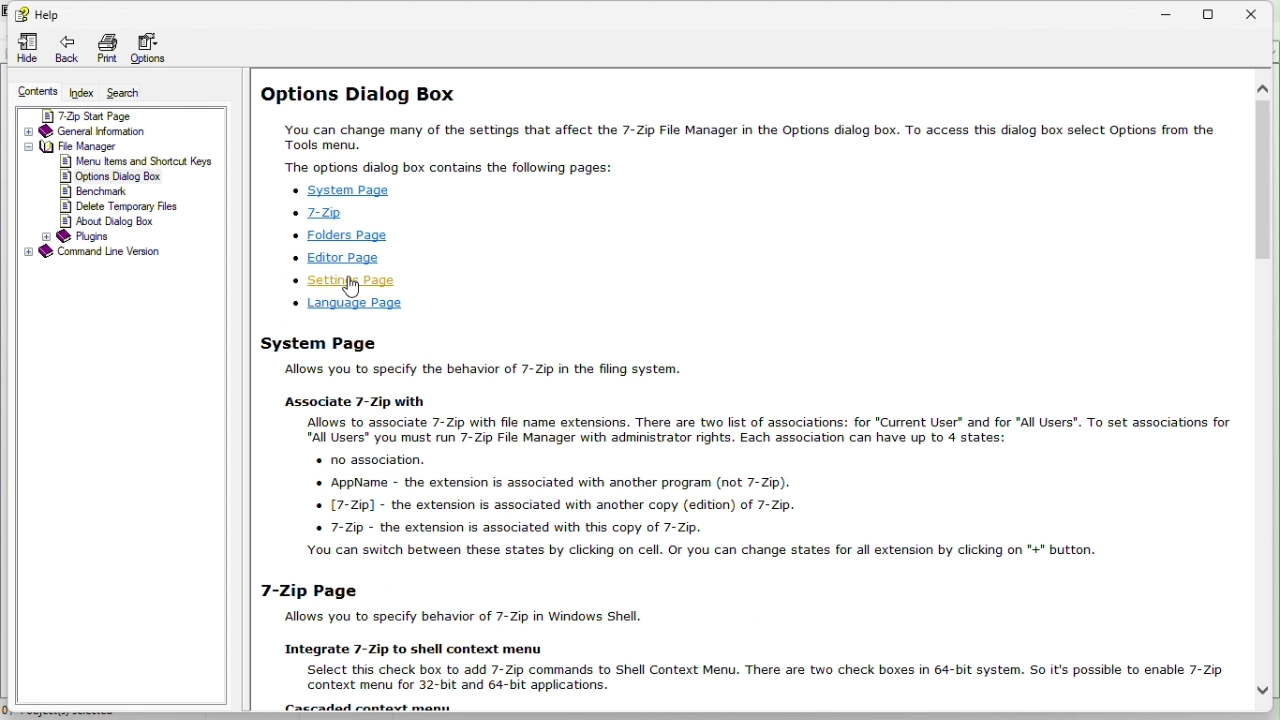  I want to click on delete temporary  filesn, so click(124, 207).